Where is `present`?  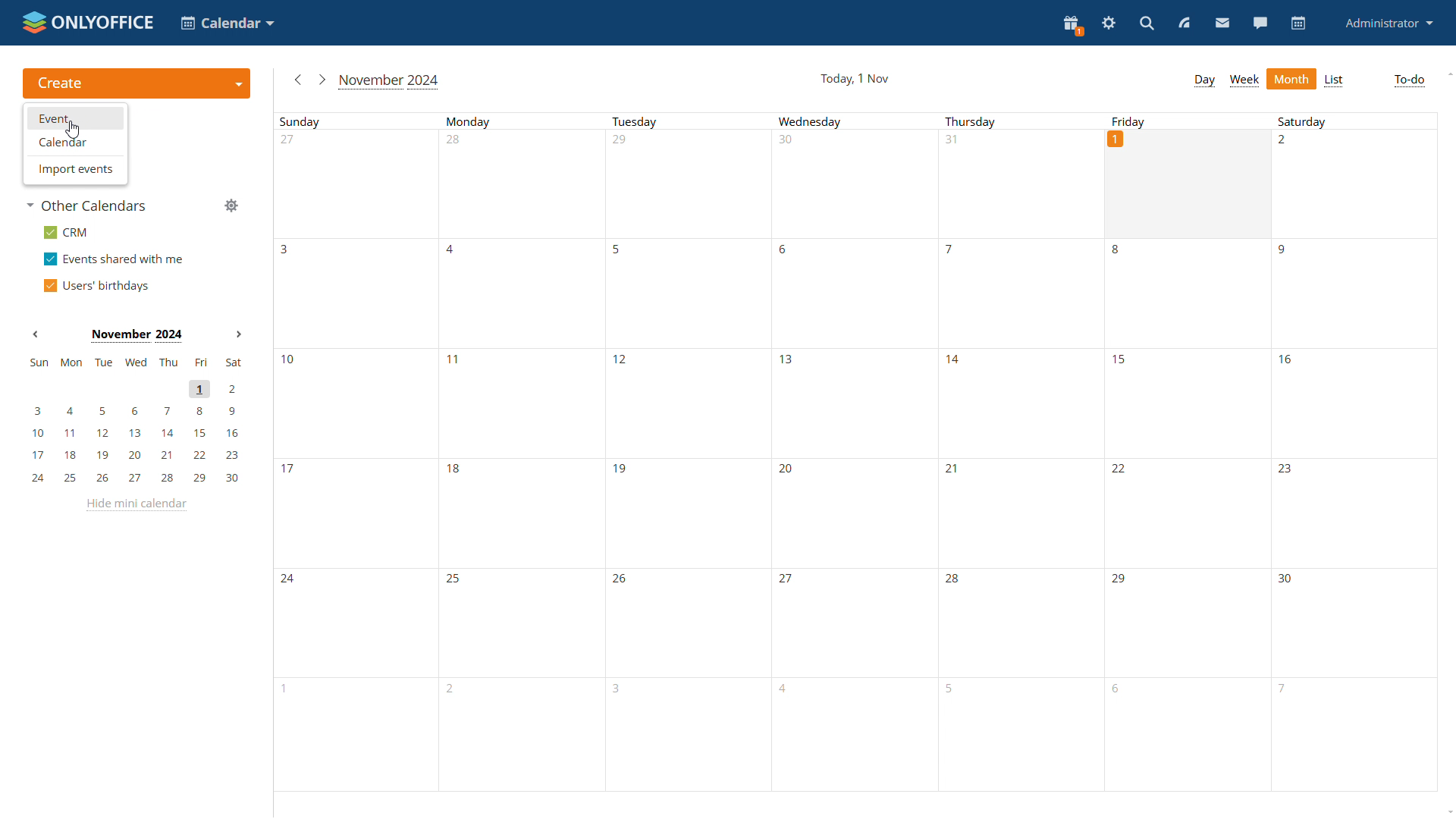 present is located at coordinates (1072, 26).